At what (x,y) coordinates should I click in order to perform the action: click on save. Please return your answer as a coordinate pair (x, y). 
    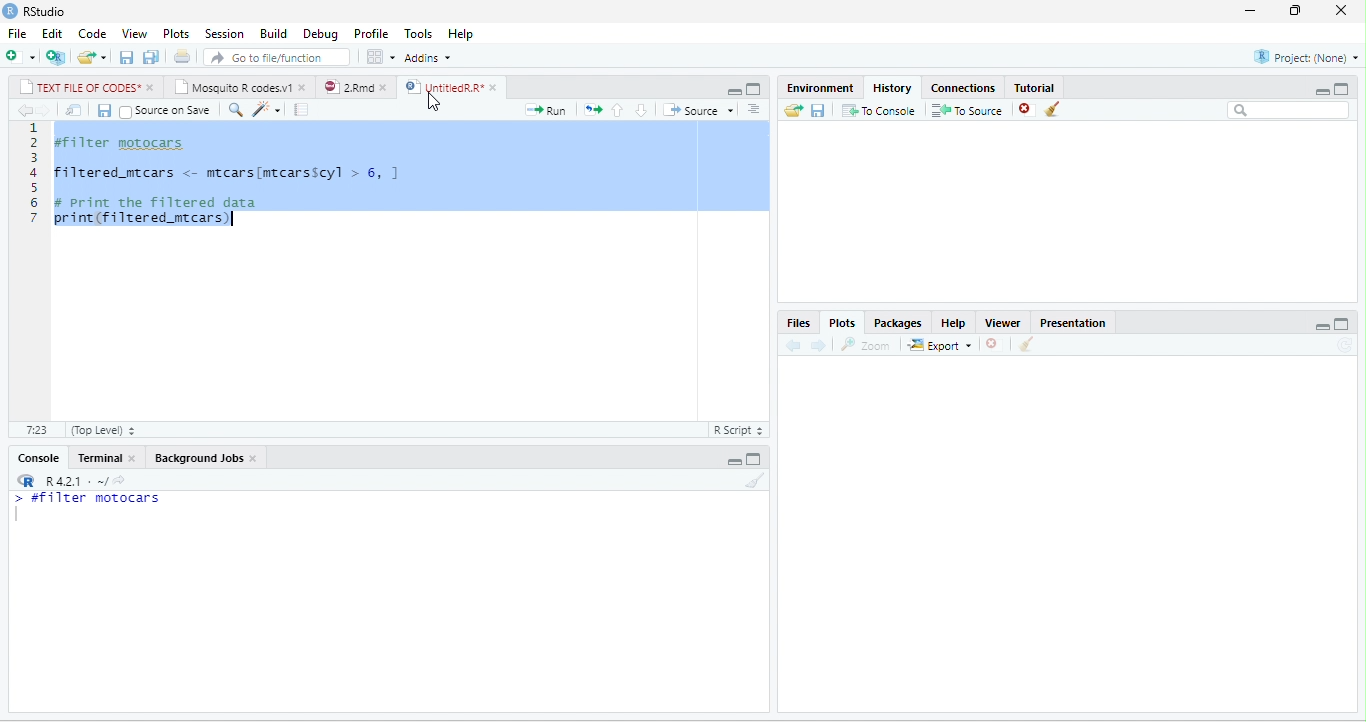
    Looking at the image, I should click on (817, 111).